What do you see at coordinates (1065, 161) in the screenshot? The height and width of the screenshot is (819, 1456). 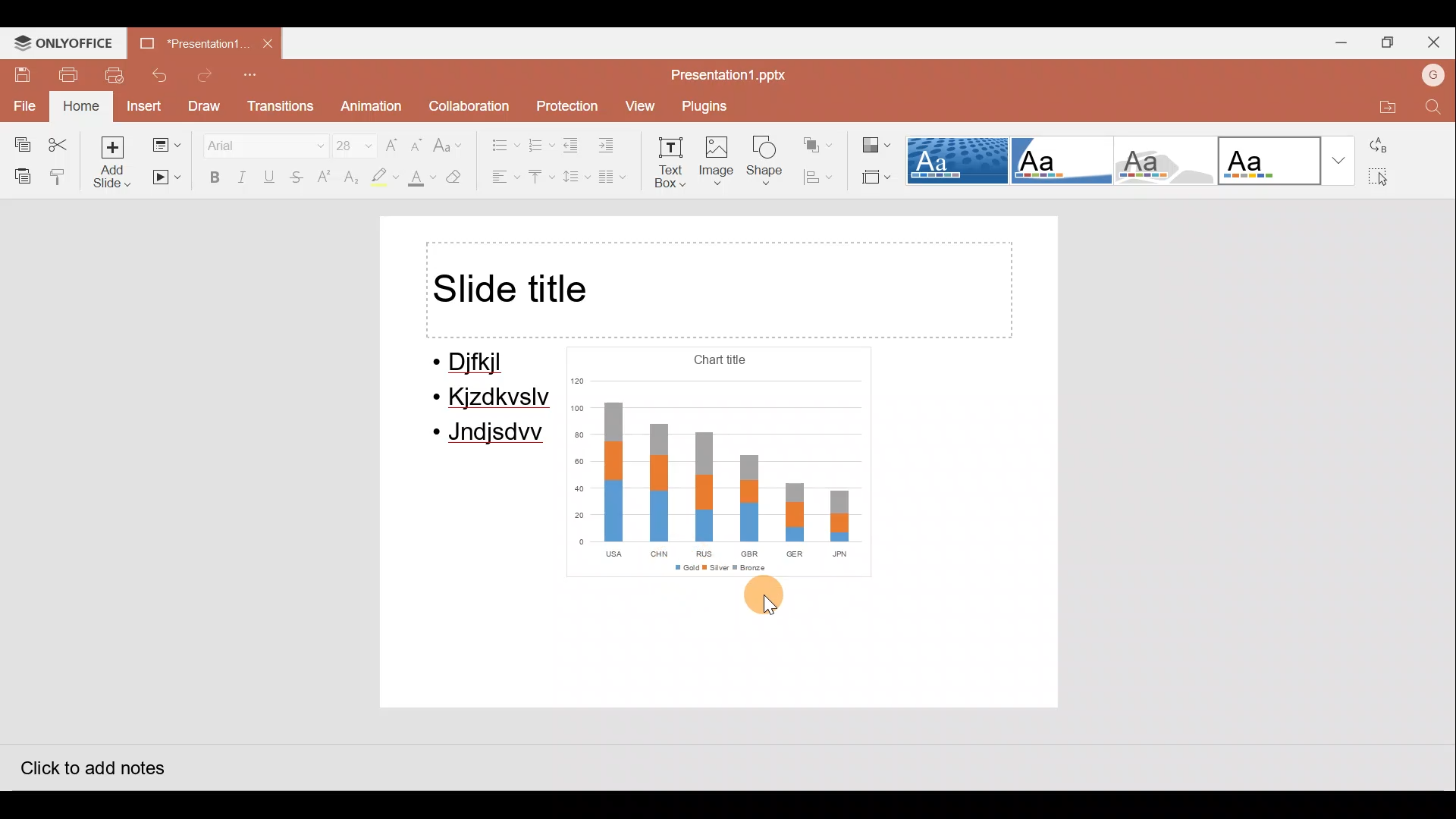 I see `Theme 2` at bounding box center [1065, 161].